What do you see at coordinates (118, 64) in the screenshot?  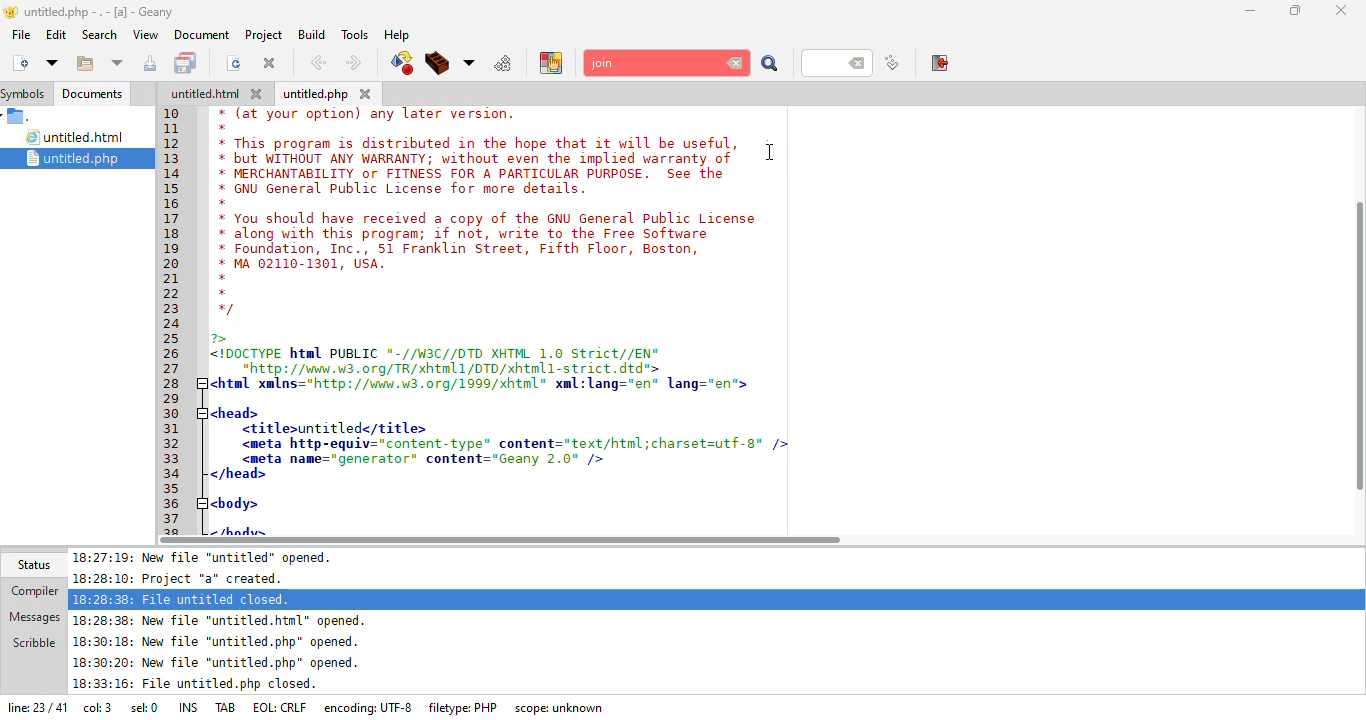 I see `recent` at bounding box center [118, 64].